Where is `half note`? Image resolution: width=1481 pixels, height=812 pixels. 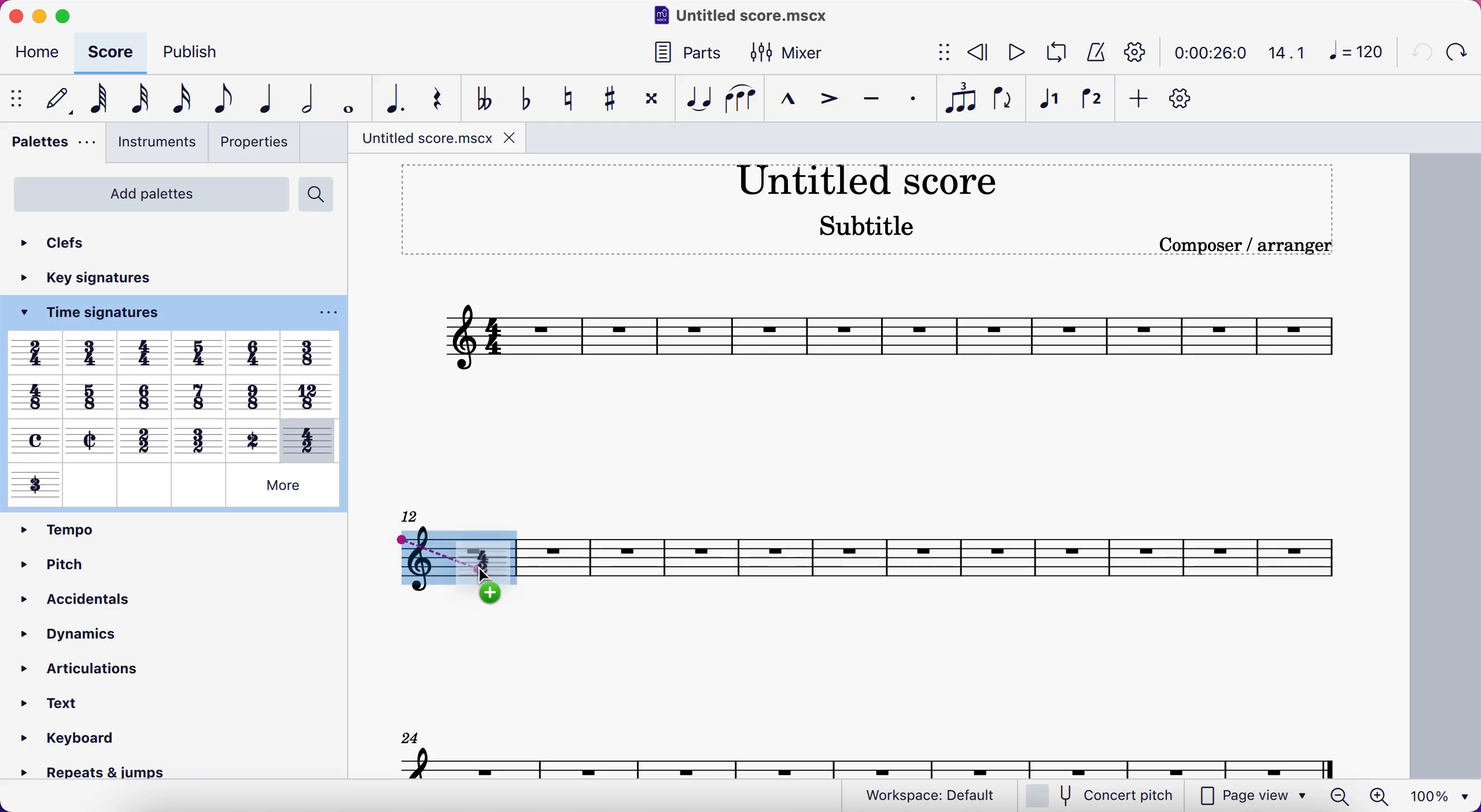
half note is located at coordinates (307, 98).